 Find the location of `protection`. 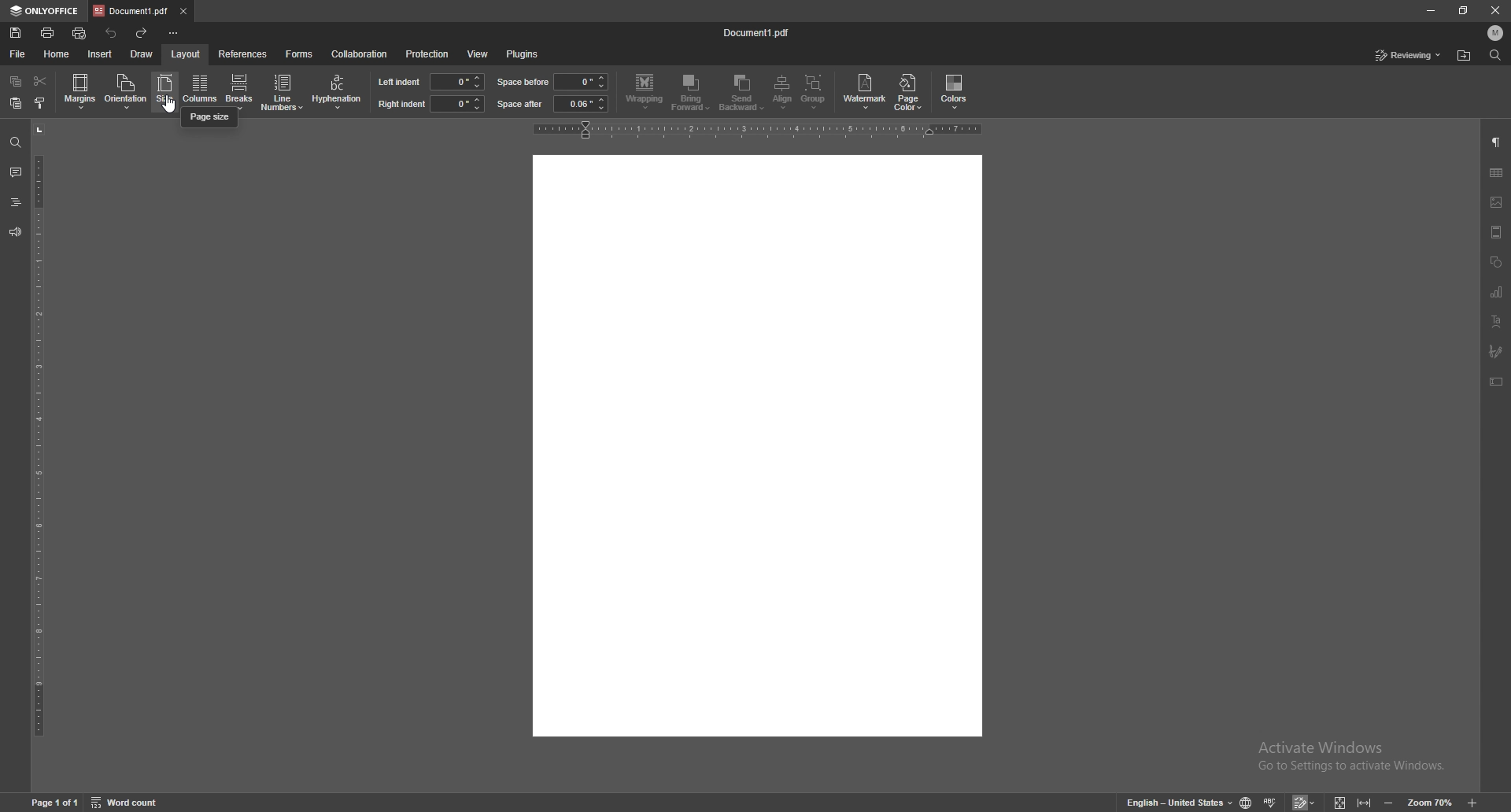

protection is located at coordinates (427, 54).